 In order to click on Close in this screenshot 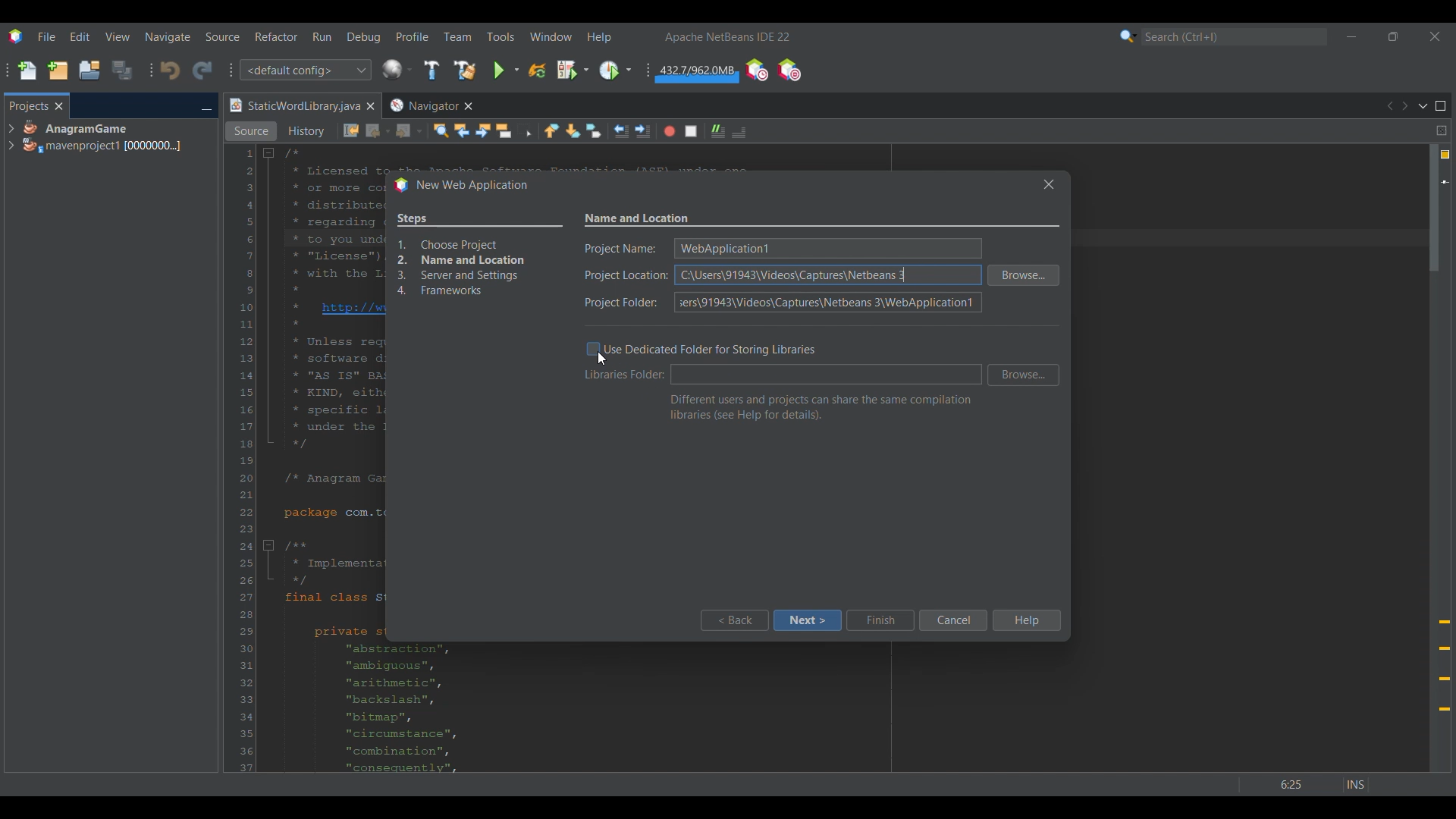, I will do `click(370, 106)`.